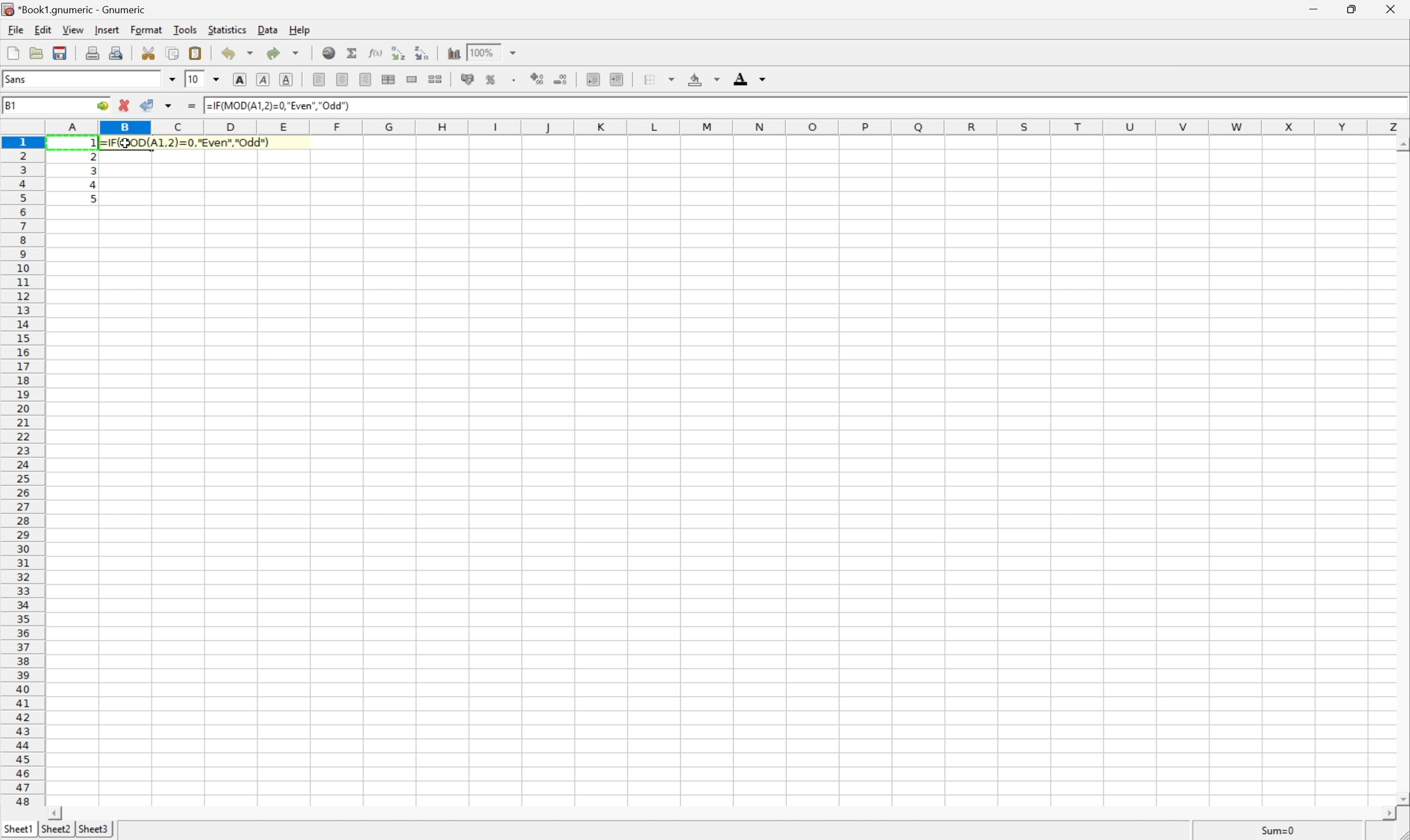  What do you see at coordinates (44, 29) in the screenshot?
I see `Edit` at bounding box center [44, 29].